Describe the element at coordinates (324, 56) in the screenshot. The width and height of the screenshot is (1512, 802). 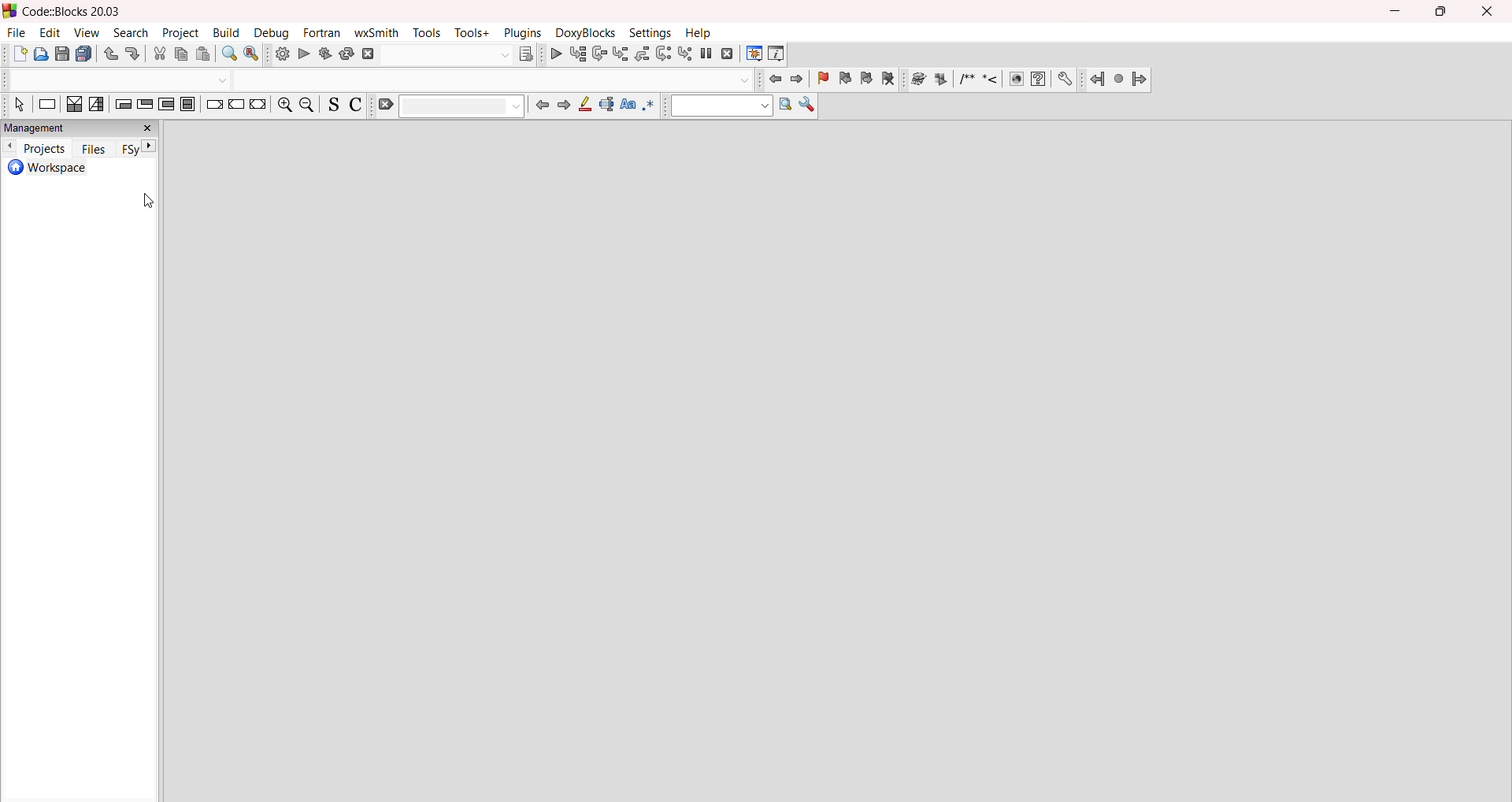
I see `build and run` at that location.